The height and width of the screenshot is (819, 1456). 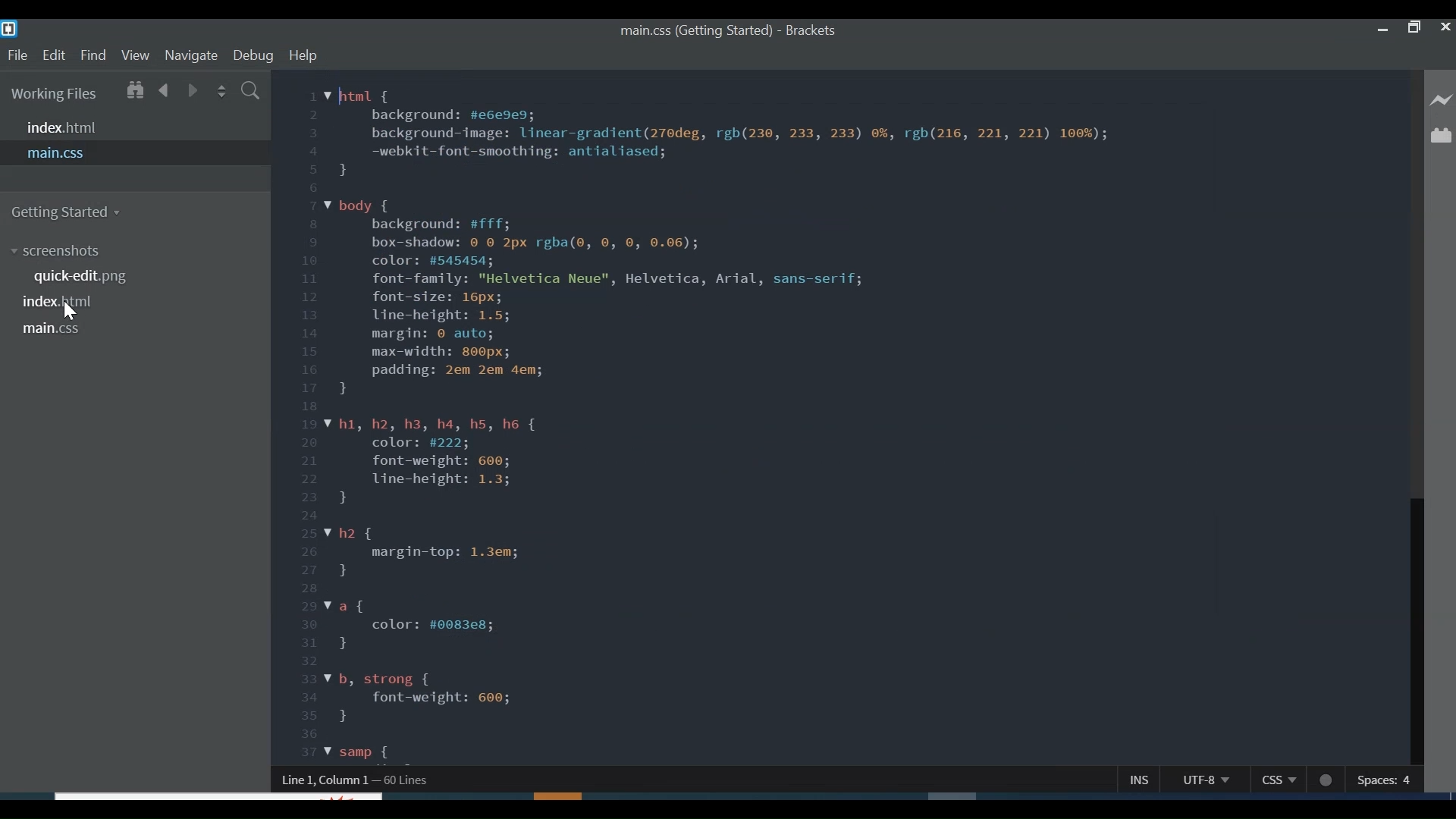 I want to click on main.css file name, so click(x=694, y=32).